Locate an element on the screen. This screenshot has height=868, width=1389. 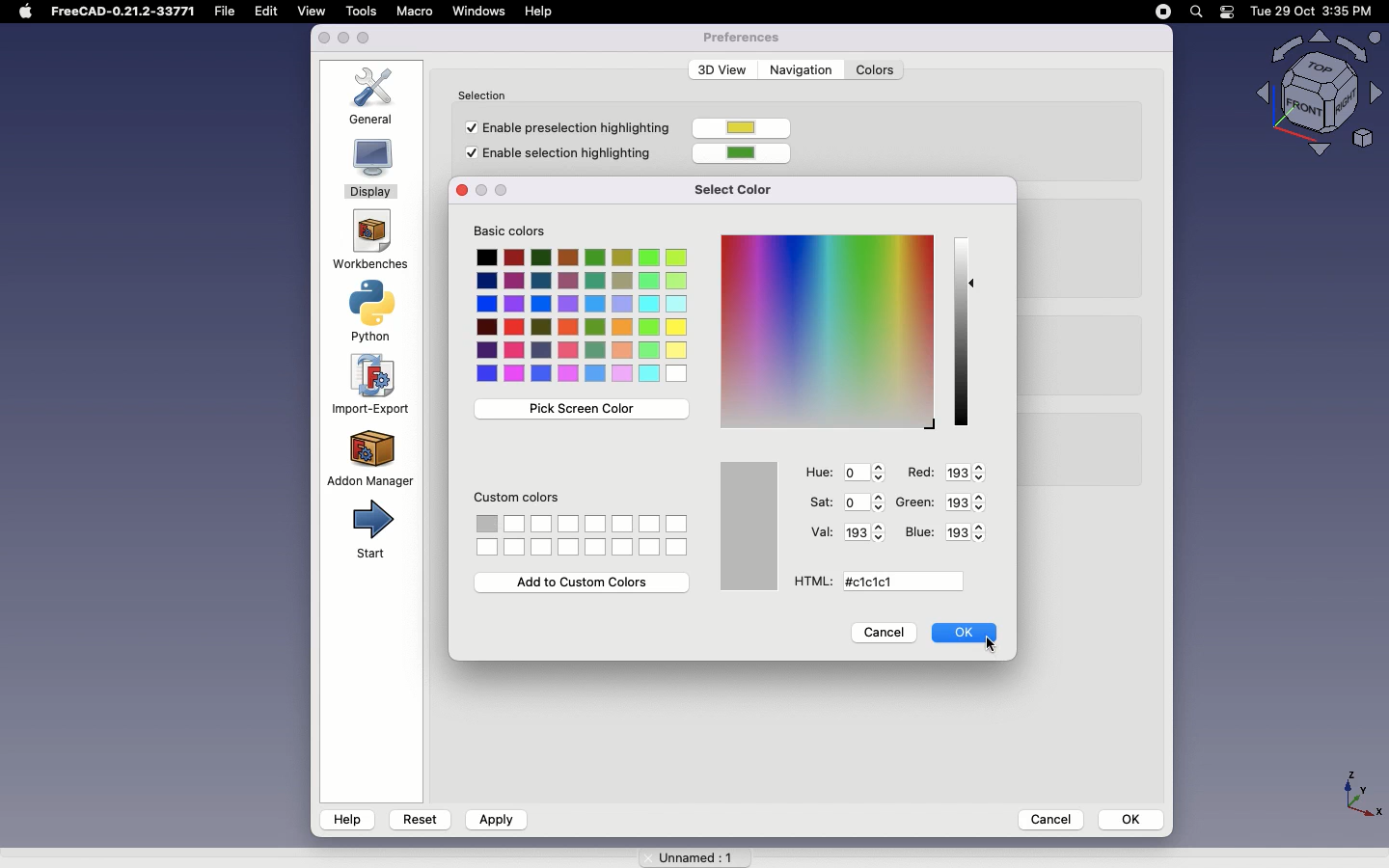
color is located at coordinates (744, 129).